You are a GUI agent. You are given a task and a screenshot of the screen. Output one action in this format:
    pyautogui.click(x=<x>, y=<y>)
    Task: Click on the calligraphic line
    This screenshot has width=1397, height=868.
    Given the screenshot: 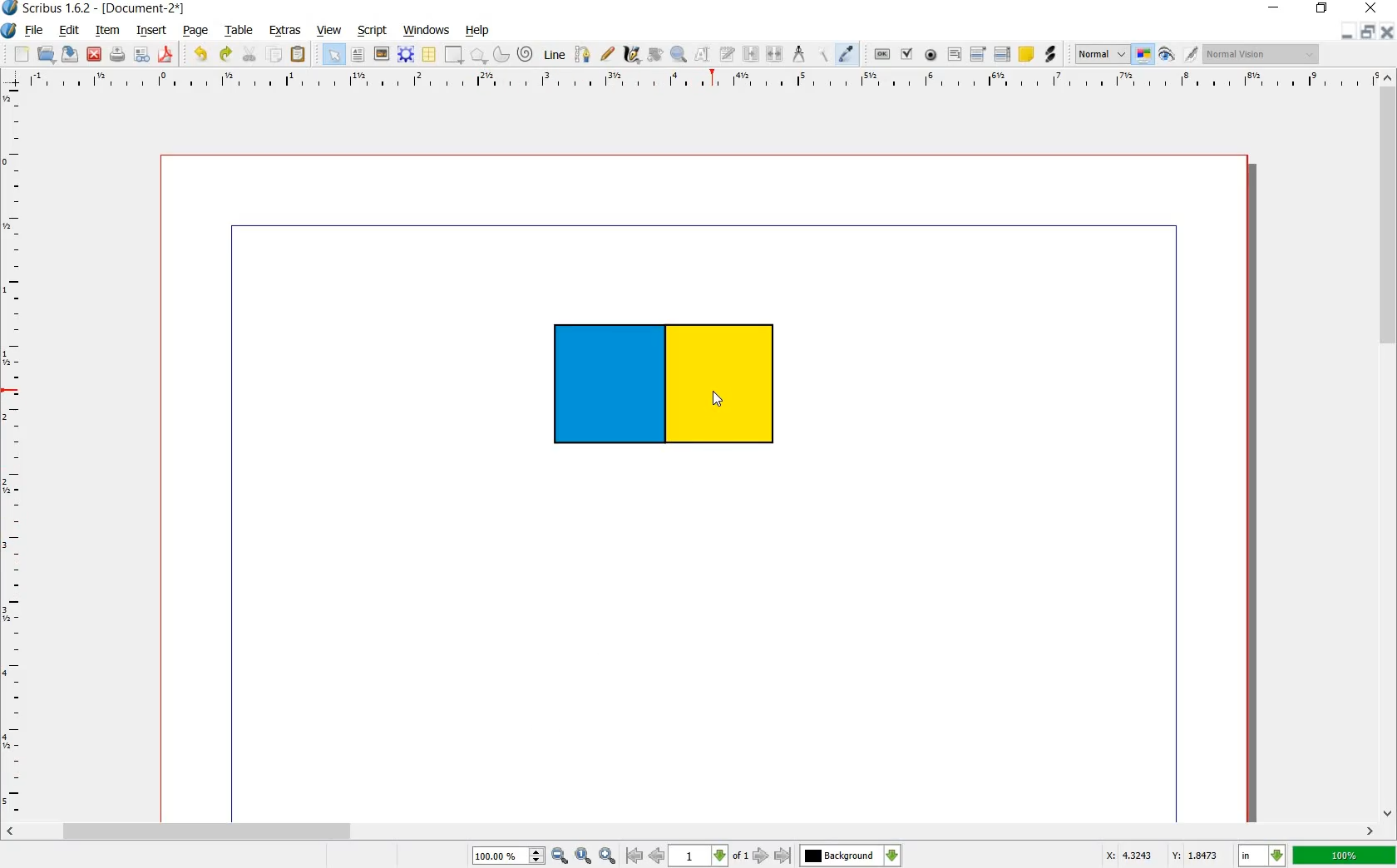 What is the action you would take?
    pyautogui.click(x=632, y=55)
    